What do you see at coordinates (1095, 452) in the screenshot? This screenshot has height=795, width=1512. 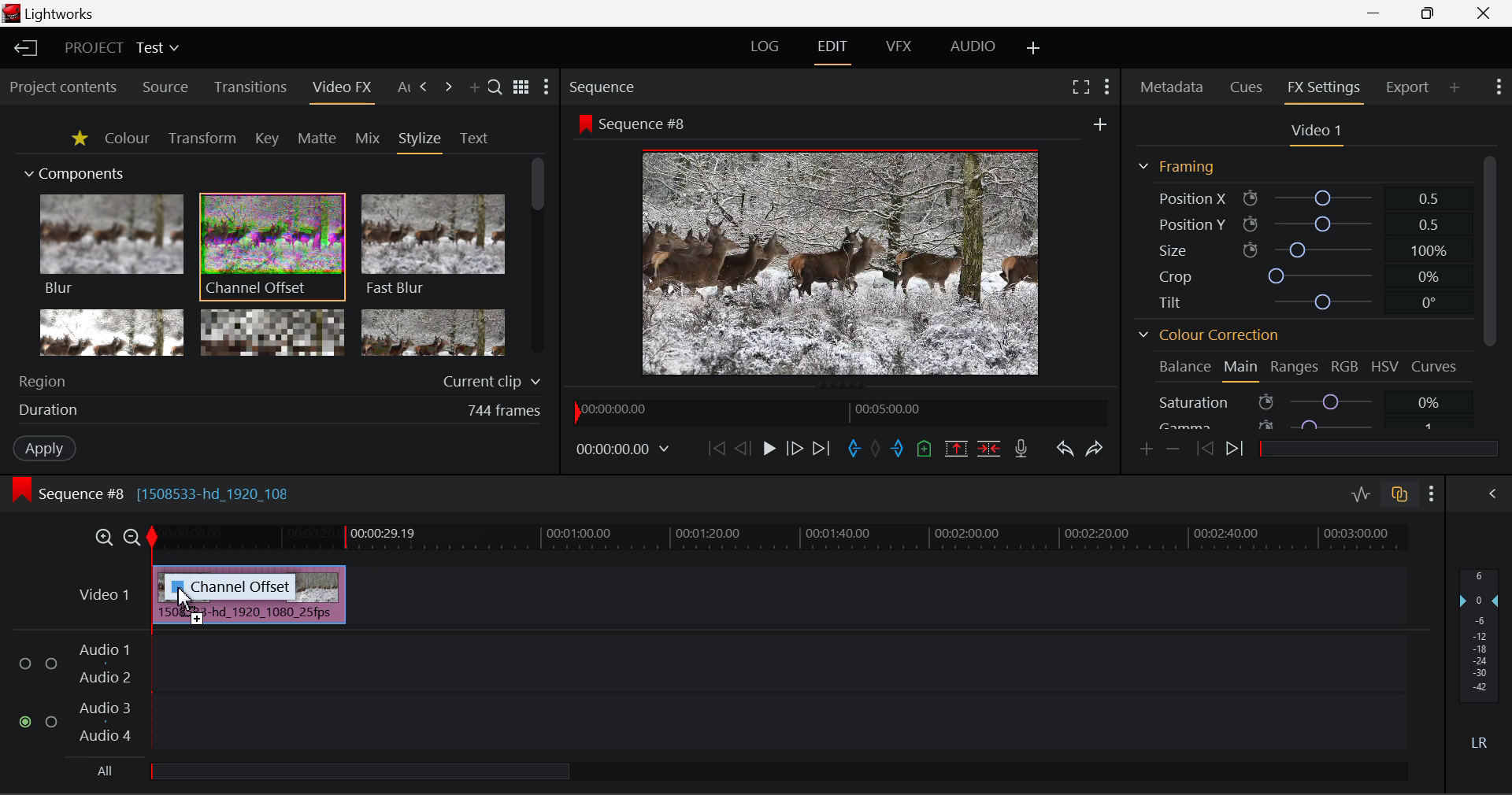 I see `Redo` at bounding box center [1095, 452].